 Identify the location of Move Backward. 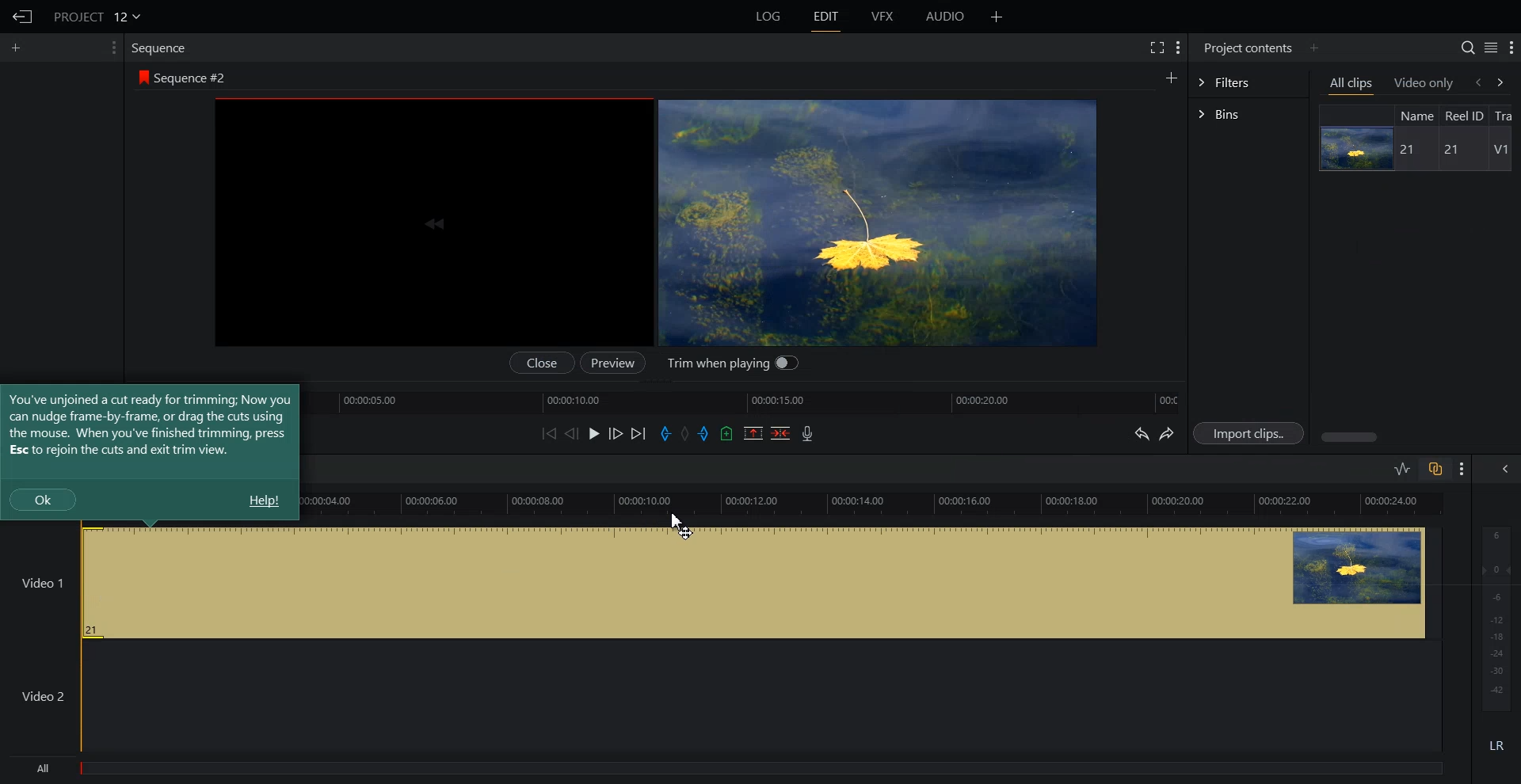
(548, 433).